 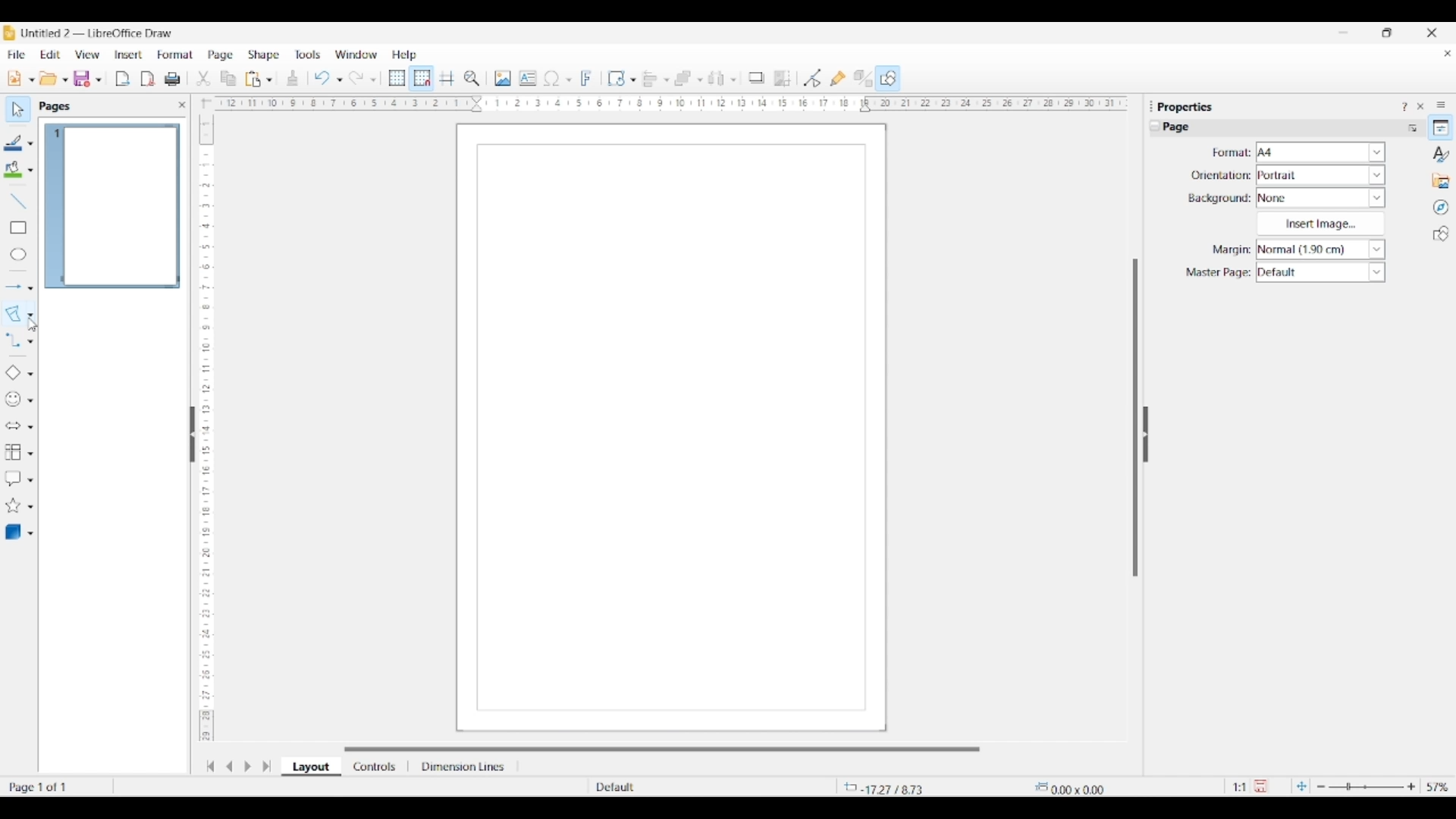 I want to click on Print, so click(x=172, y=79).